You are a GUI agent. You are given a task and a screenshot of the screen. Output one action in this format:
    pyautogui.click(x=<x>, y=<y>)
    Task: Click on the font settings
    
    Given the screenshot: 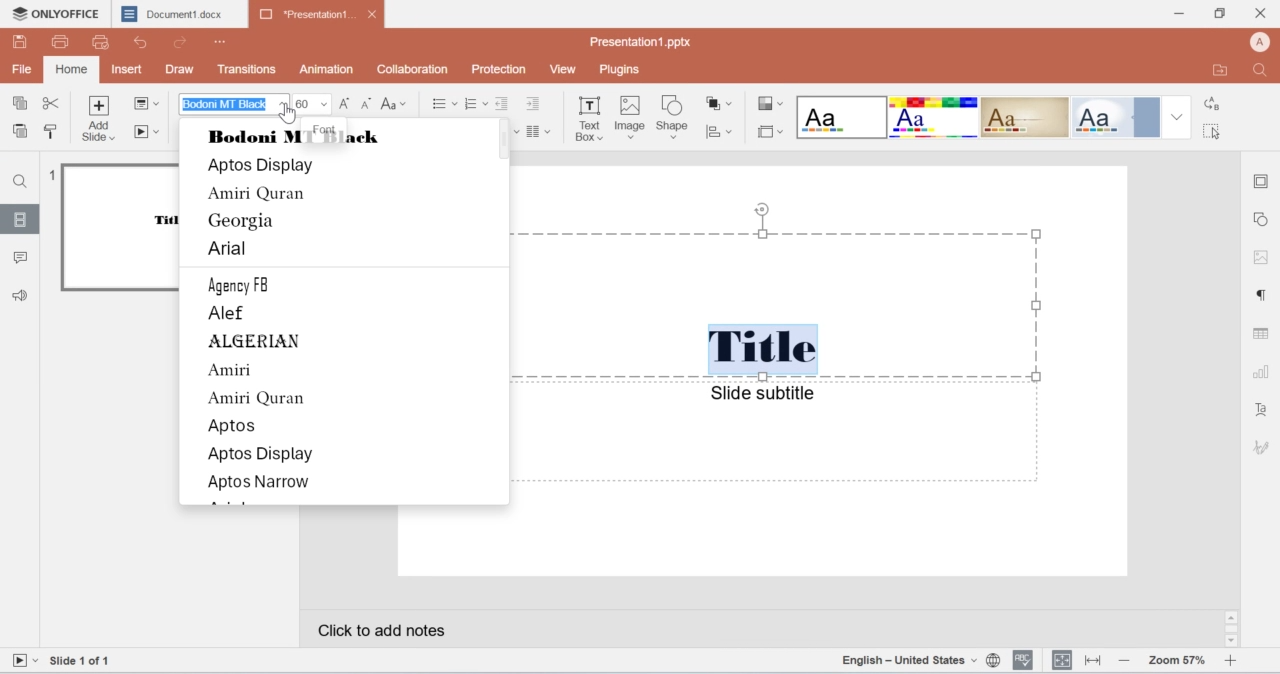 What is the action you would take?
    pyautogui.click(x=1264, y=412)
    